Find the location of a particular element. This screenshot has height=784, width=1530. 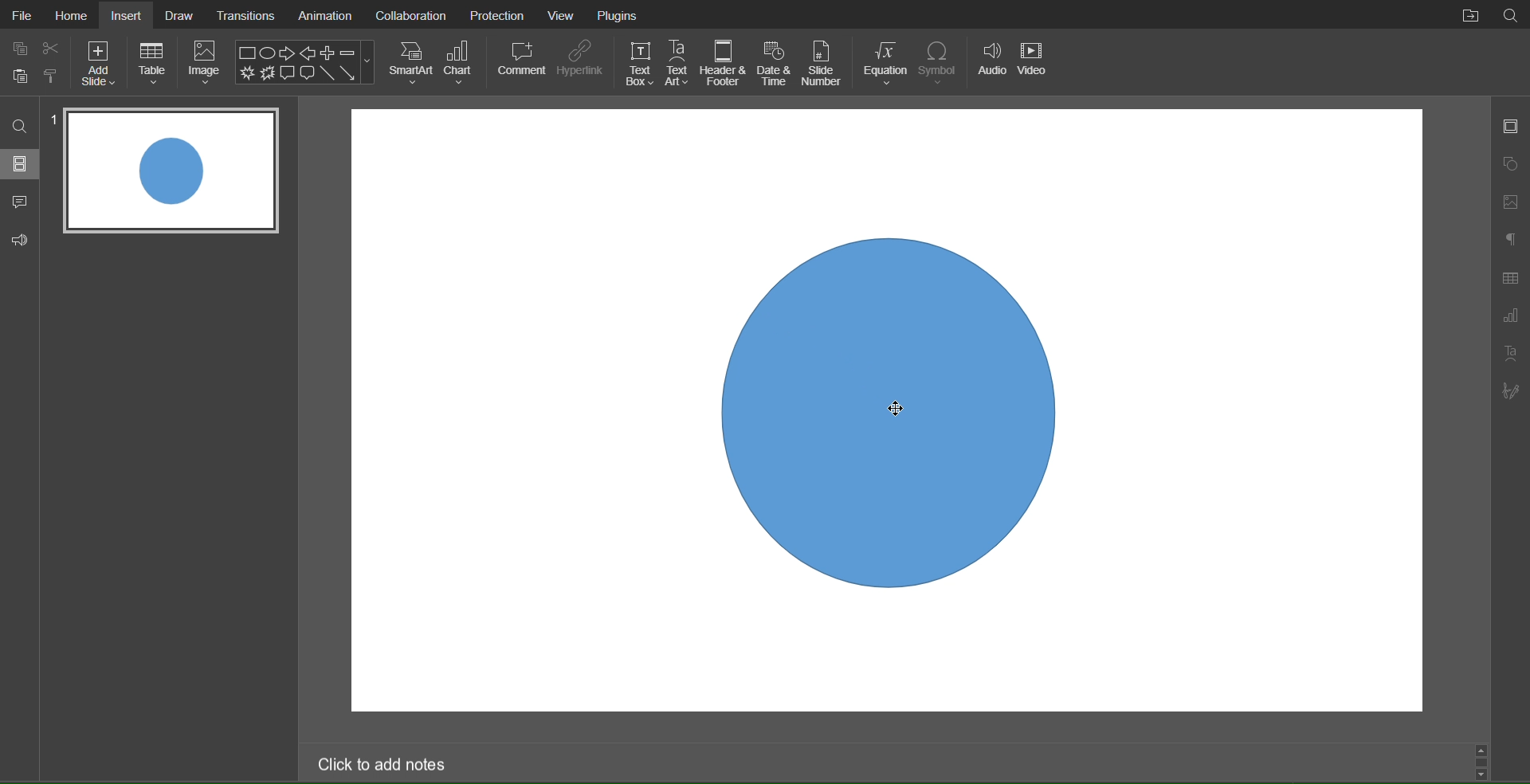

Animation is located at coordinates (324, 16).